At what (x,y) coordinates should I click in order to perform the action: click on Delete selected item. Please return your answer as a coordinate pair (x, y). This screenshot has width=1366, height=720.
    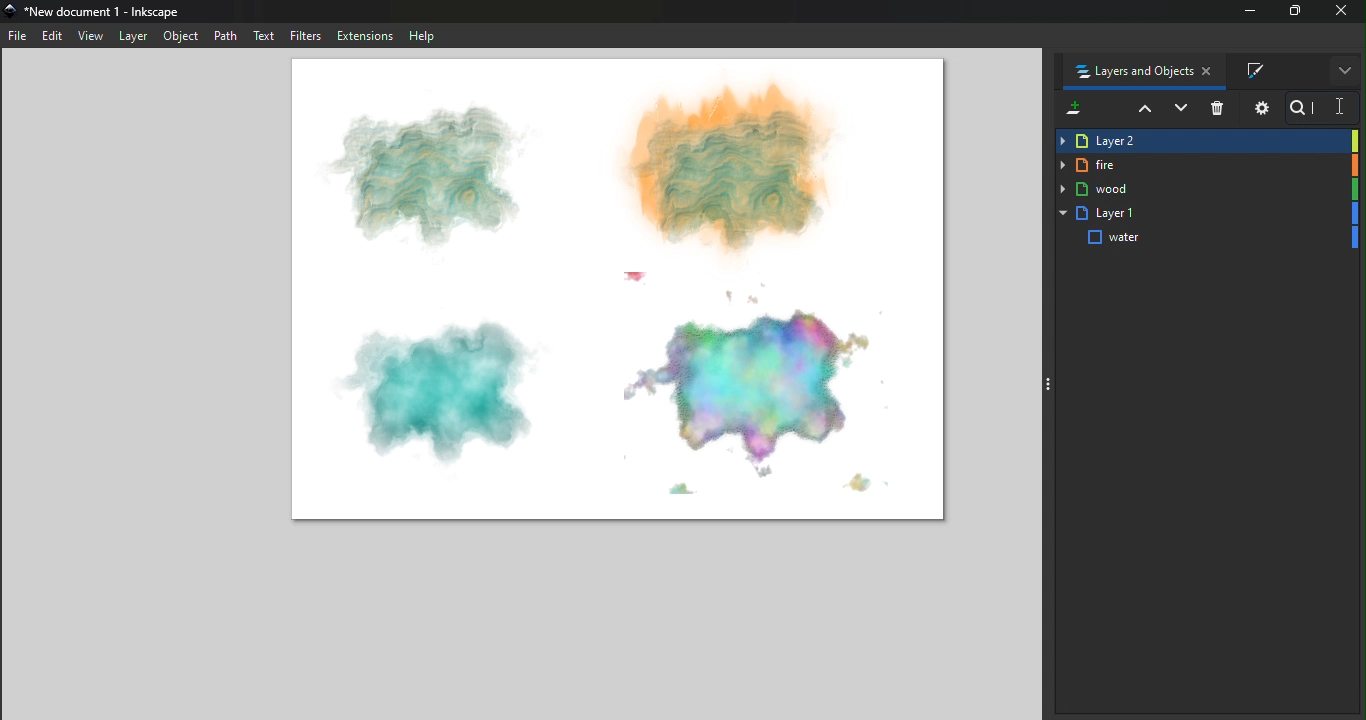
    Looking at the image, I should click on (1219, 110).